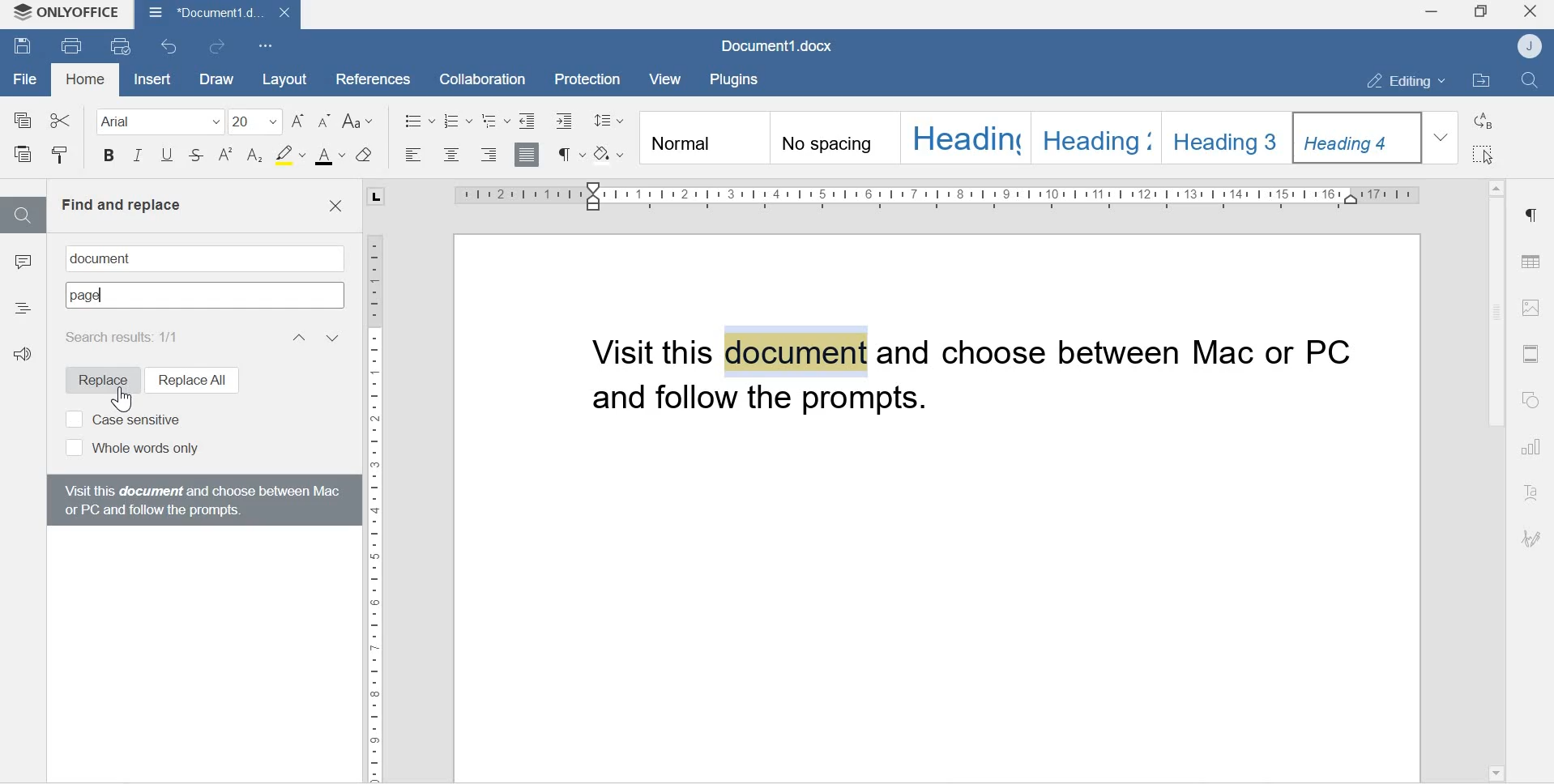 The height and width of the screenshot is (784, 1554). What do you see at coordinates (589, 78) in the screenshot?
I see `Protection` at bounding box center [589, 78].